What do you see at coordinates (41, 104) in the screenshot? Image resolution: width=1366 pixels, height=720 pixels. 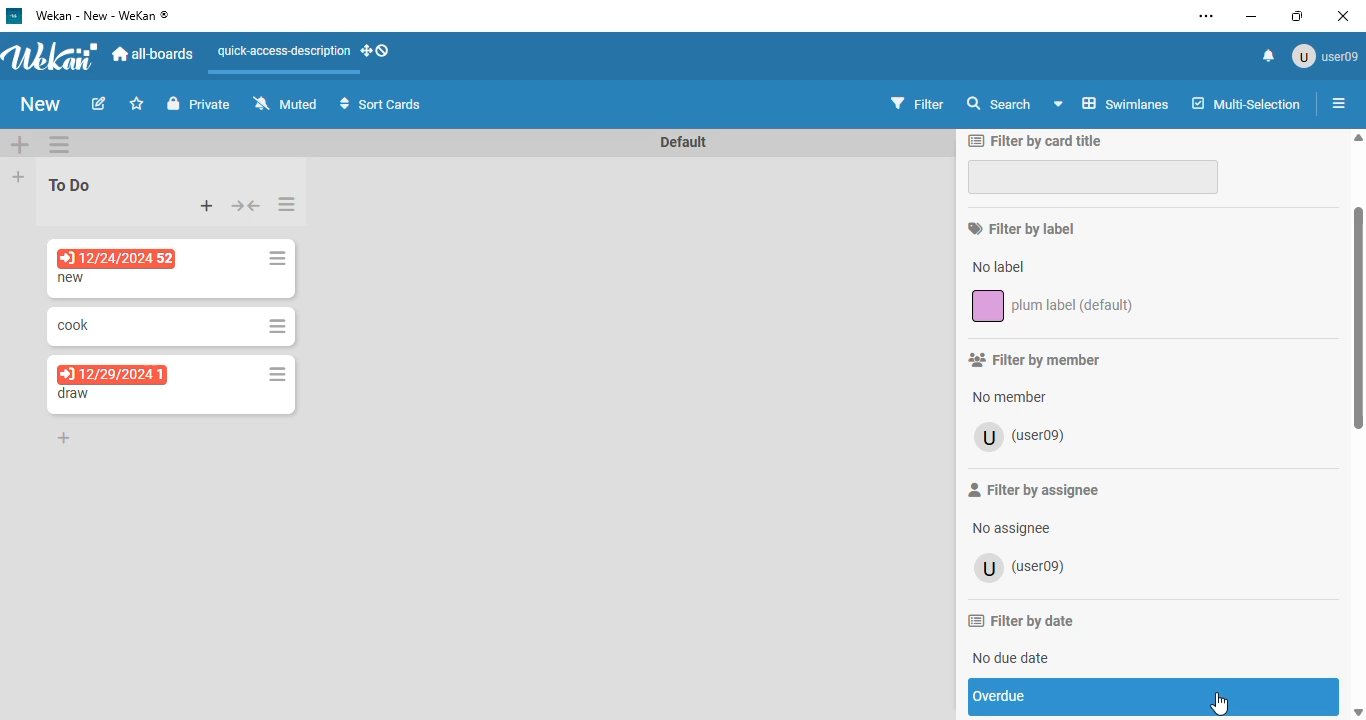 I see `board name` at bounding box center [41, 104].